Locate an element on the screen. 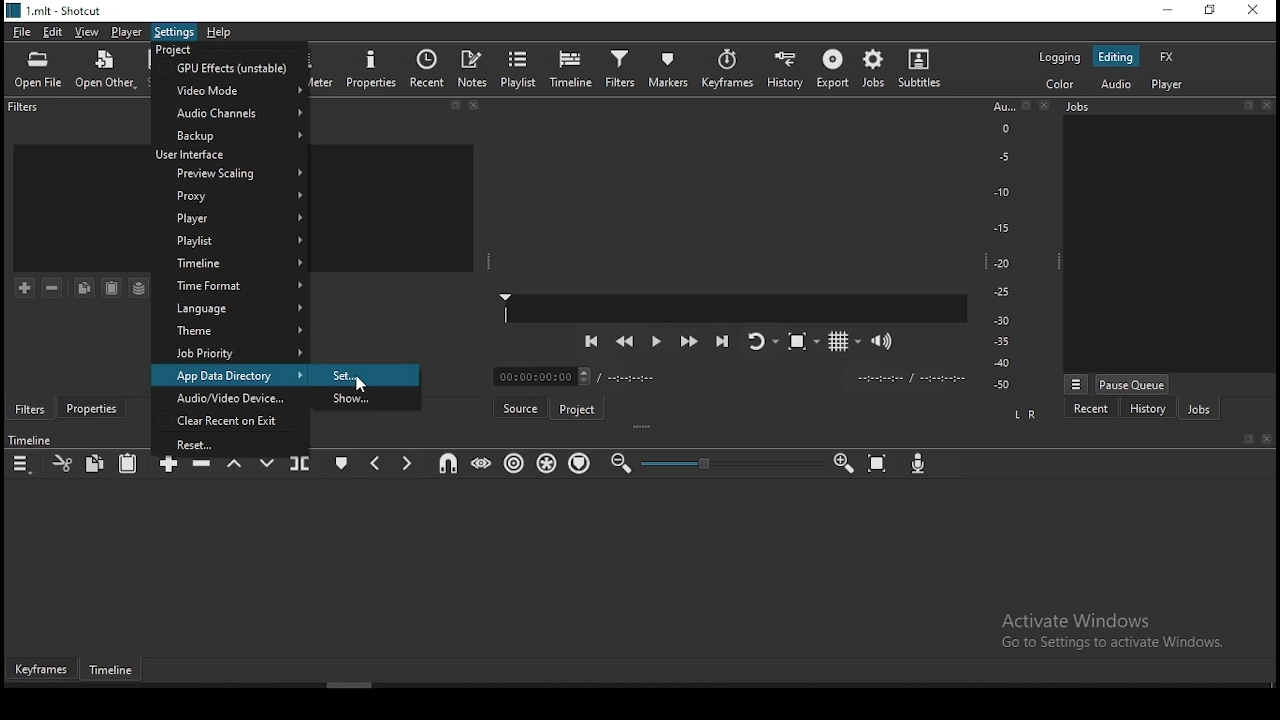 Image resolution: width=1280 pixels, height=720 pixels. gpu effects is located at coordinates (230, 69).